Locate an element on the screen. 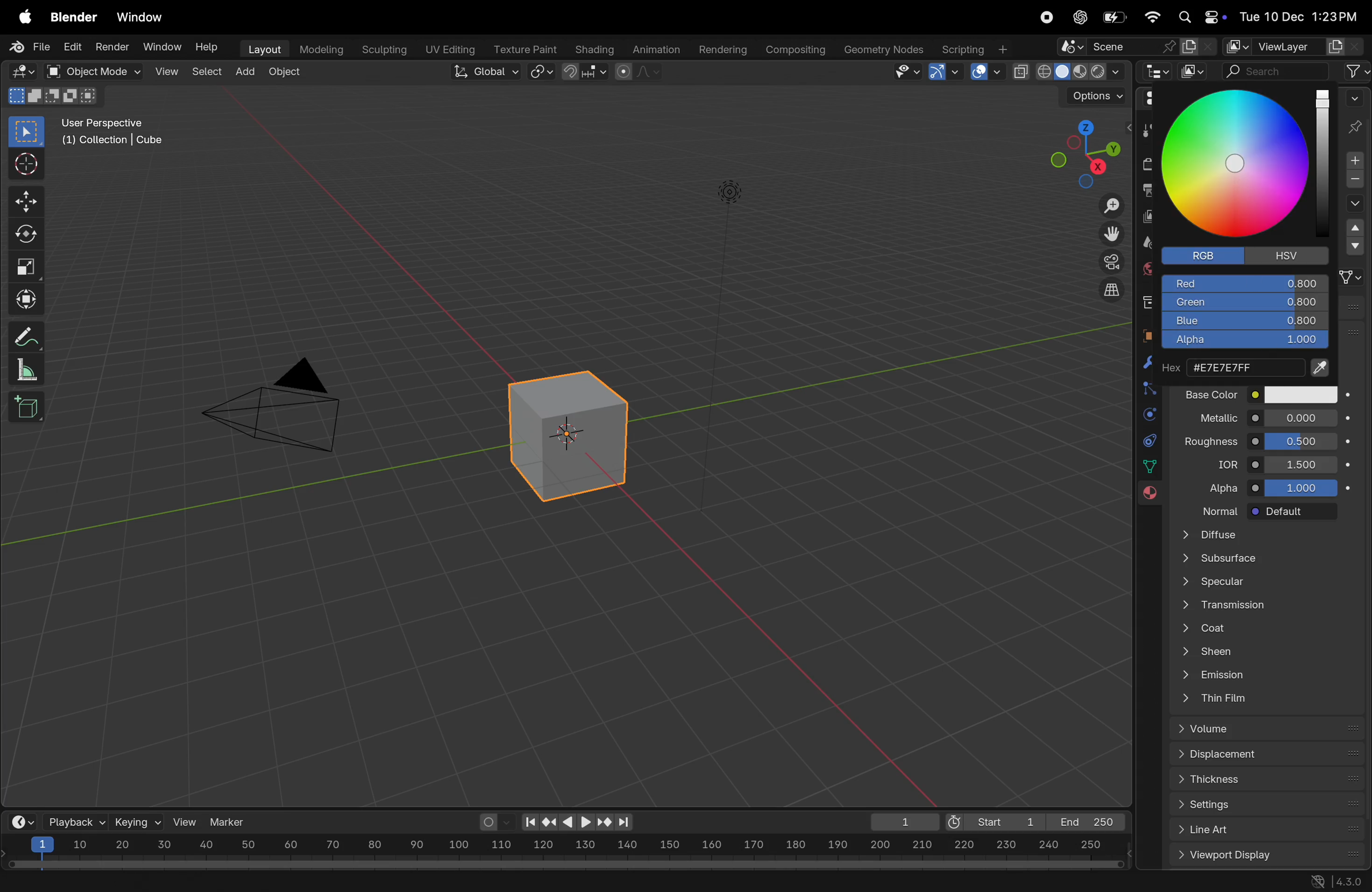 The width and height of the screenshot is (1372, 892). Rgb is located at coordinates (1207, 257).